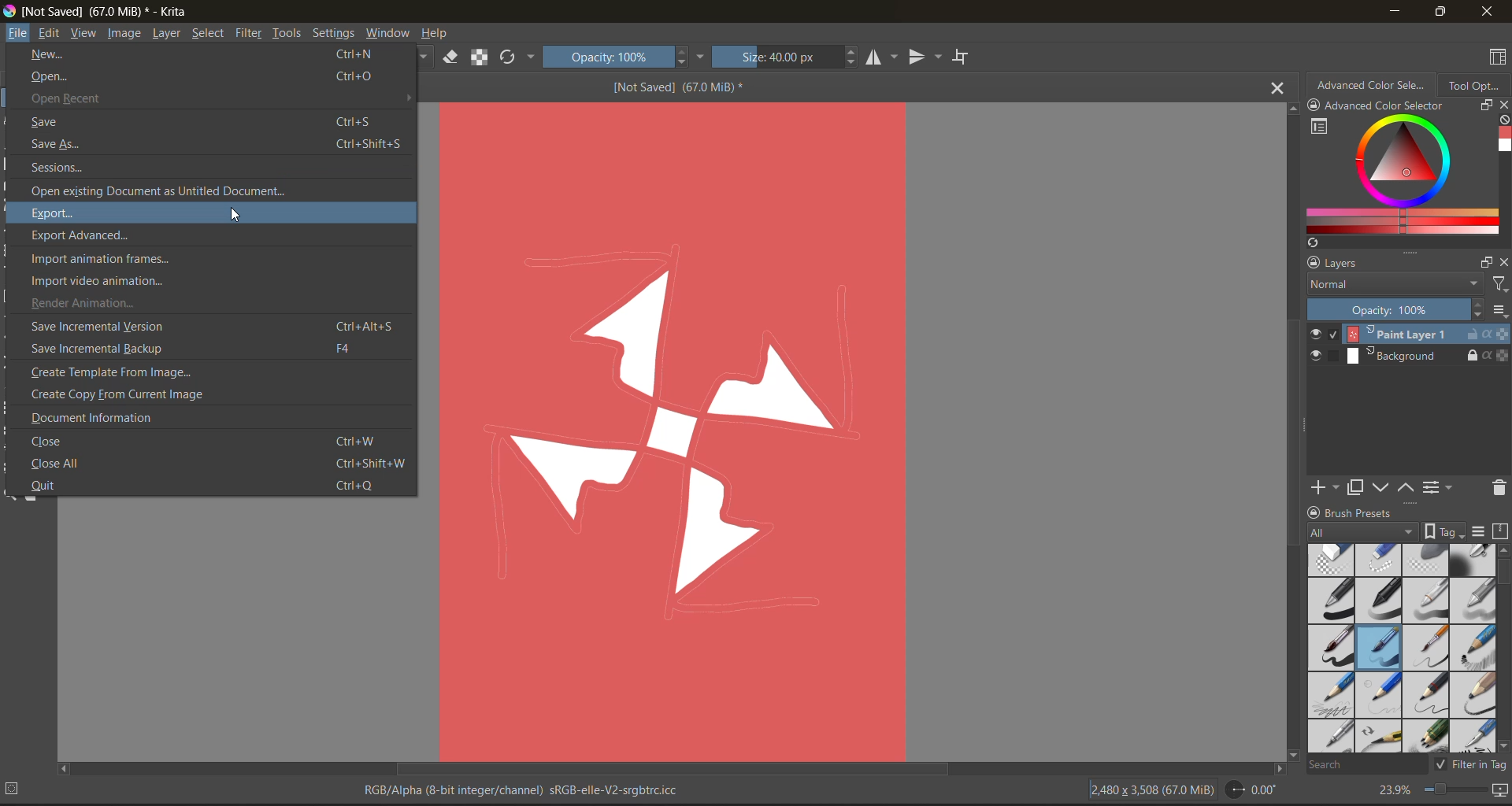 This screenshot has width=1512, height=806. What do you see at coordinates (1402, 176) in the screenshot?
I see `advanced color selector` at bounding box center [1402, 176].